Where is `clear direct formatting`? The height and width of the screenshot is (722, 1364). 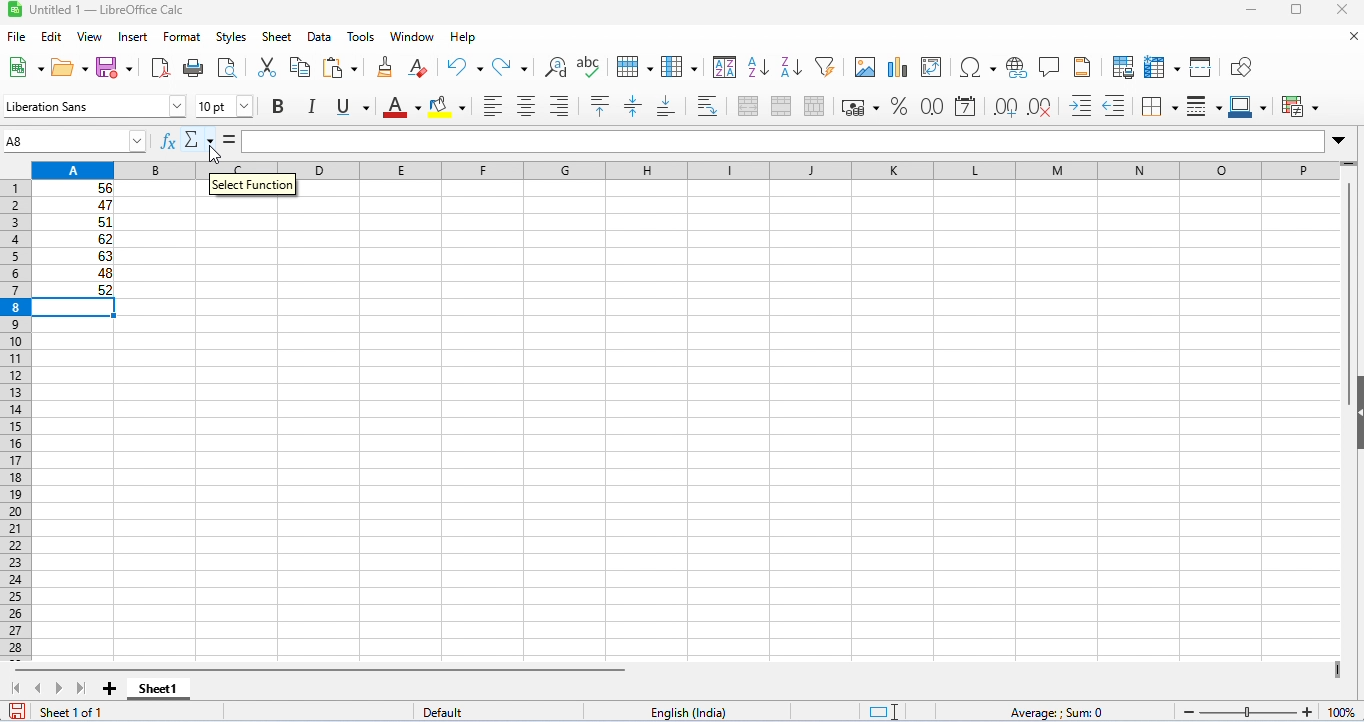 clear direct formatting is located at coordinates (419, 68).